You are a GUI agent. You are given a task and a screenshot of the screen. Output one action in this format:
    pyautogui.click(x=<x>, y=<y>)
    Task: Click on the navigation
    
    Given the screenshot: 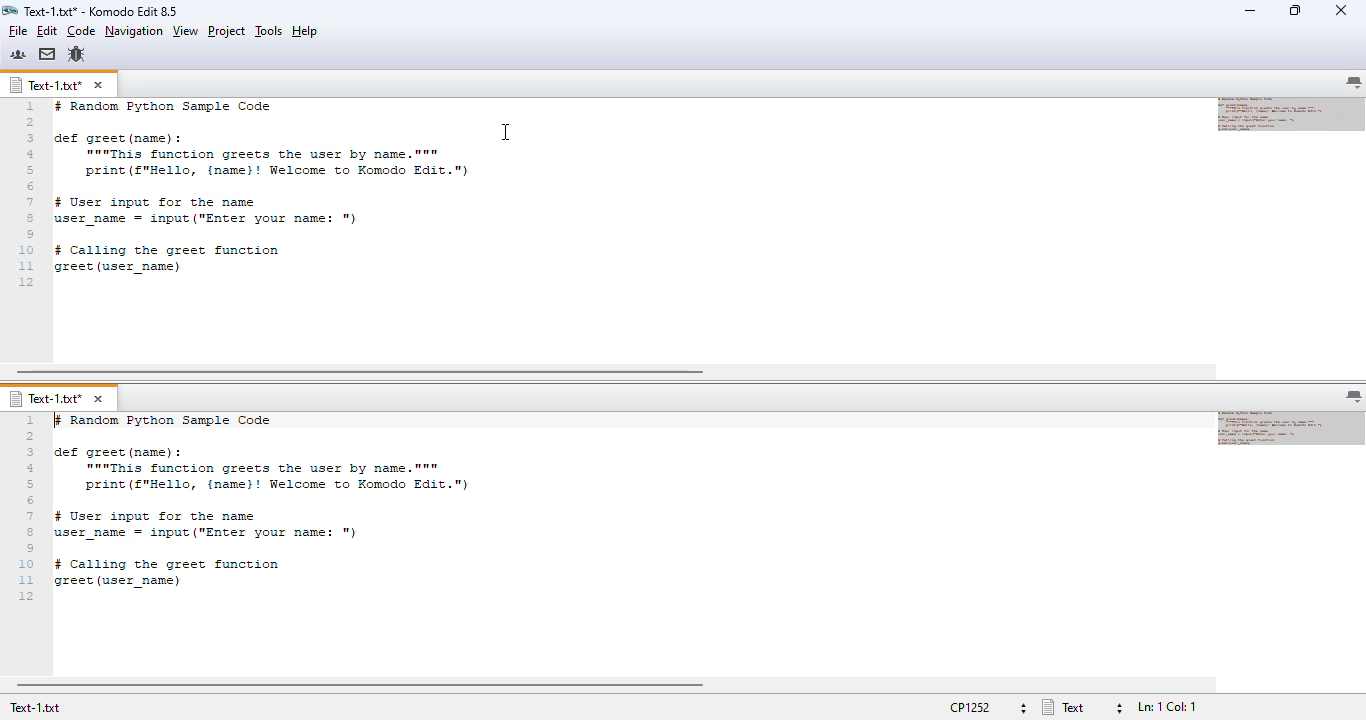 What is the action you would take?
    pyautogui.click(x=134, y=31)
    